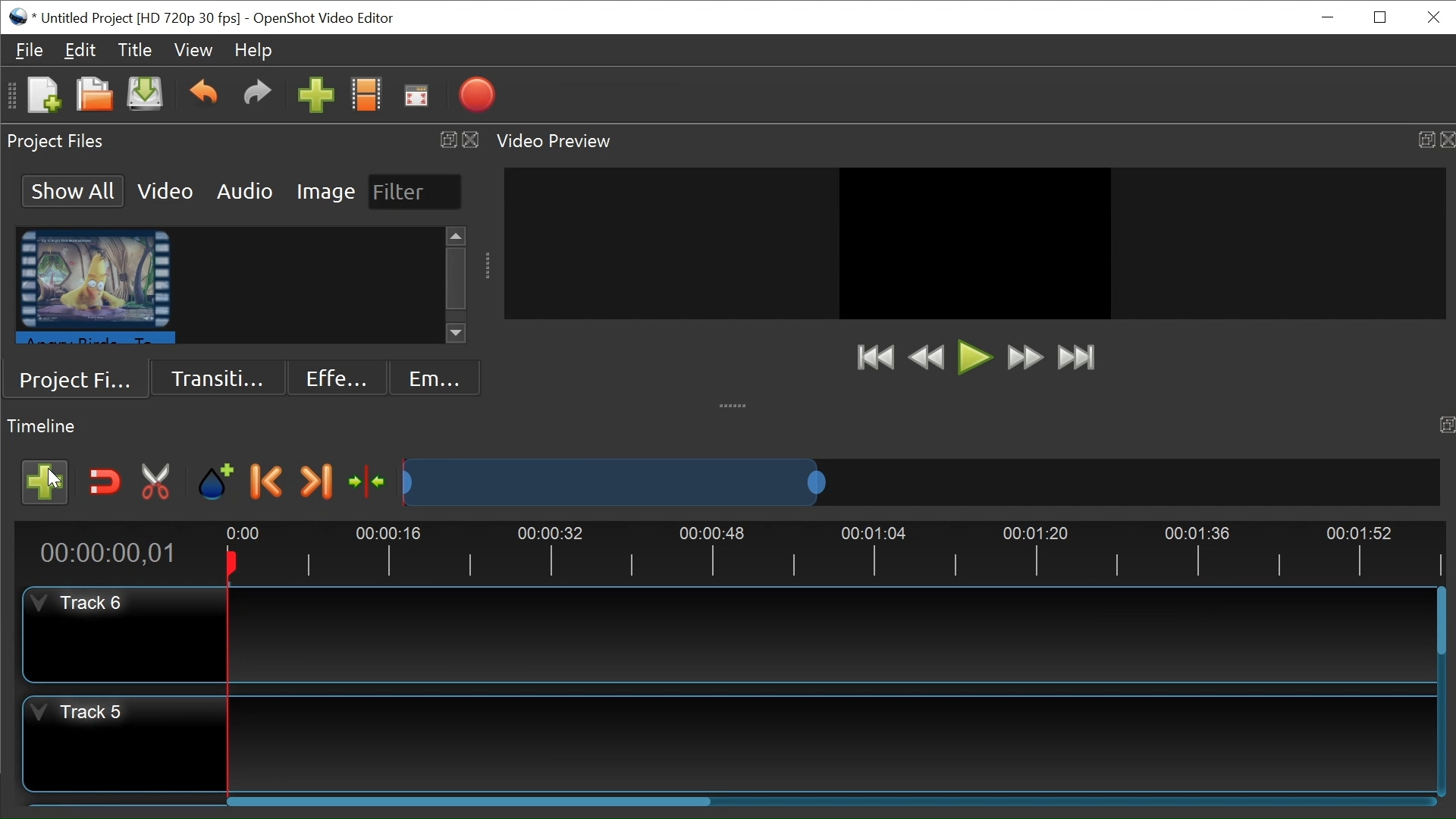 This screenshot has width=1456, height=819. What do you see at coordinates (925, 358) in the screenshot?
I see `Rewind` at bounding box center [925, 358].